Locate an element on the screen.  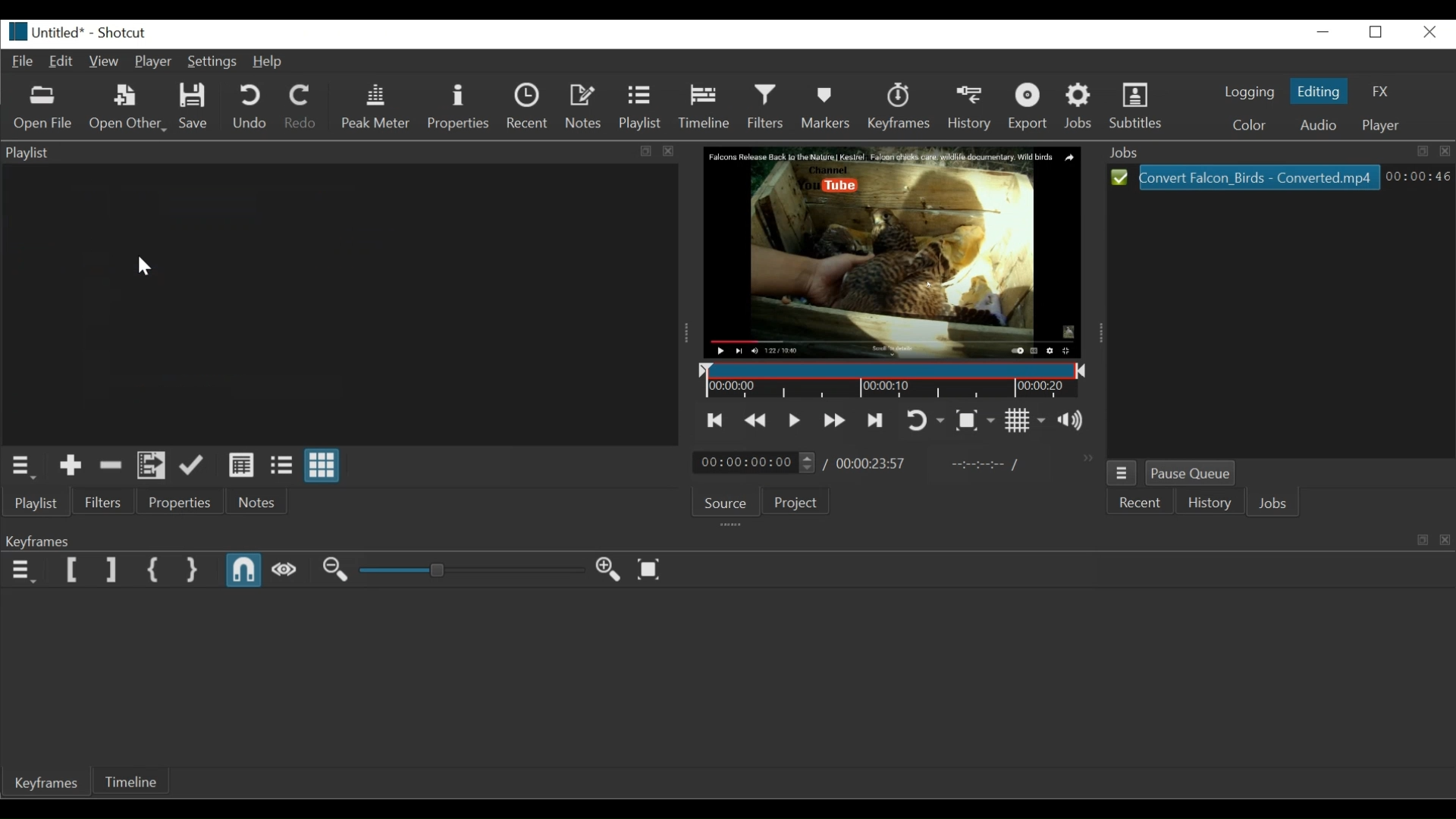
Redo is located at coordinates (302, 107).